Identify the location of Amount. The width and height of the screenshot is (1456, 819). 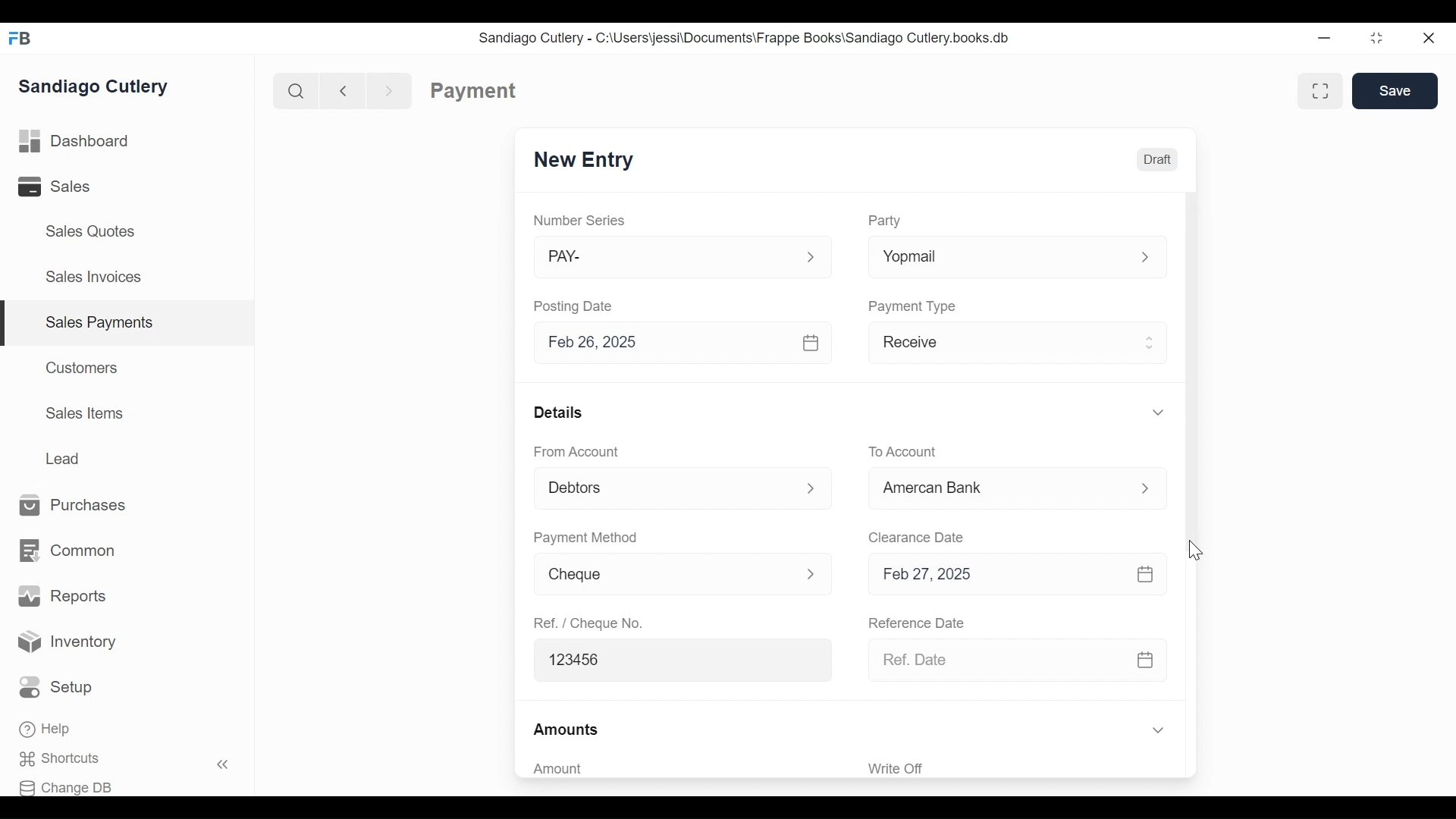
(675, 769).